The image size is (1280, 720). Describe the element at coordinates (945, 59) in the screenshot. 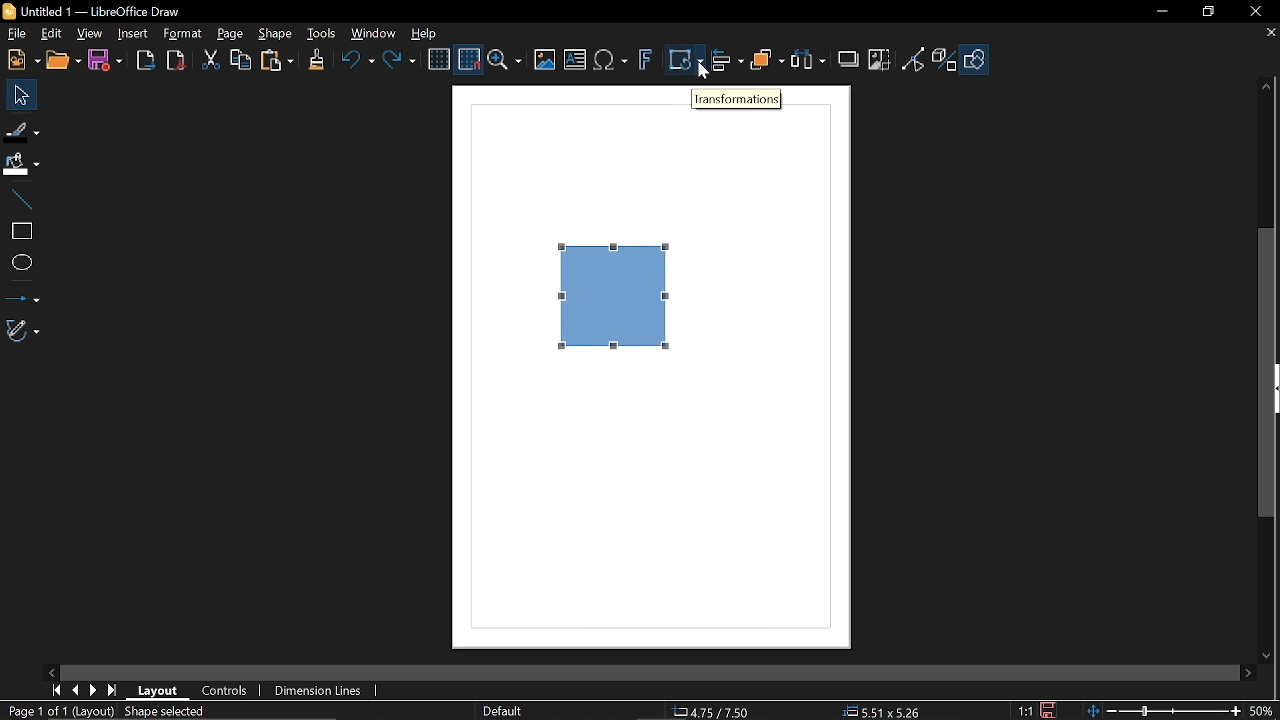

I see `Toggle extrusion` at that location.